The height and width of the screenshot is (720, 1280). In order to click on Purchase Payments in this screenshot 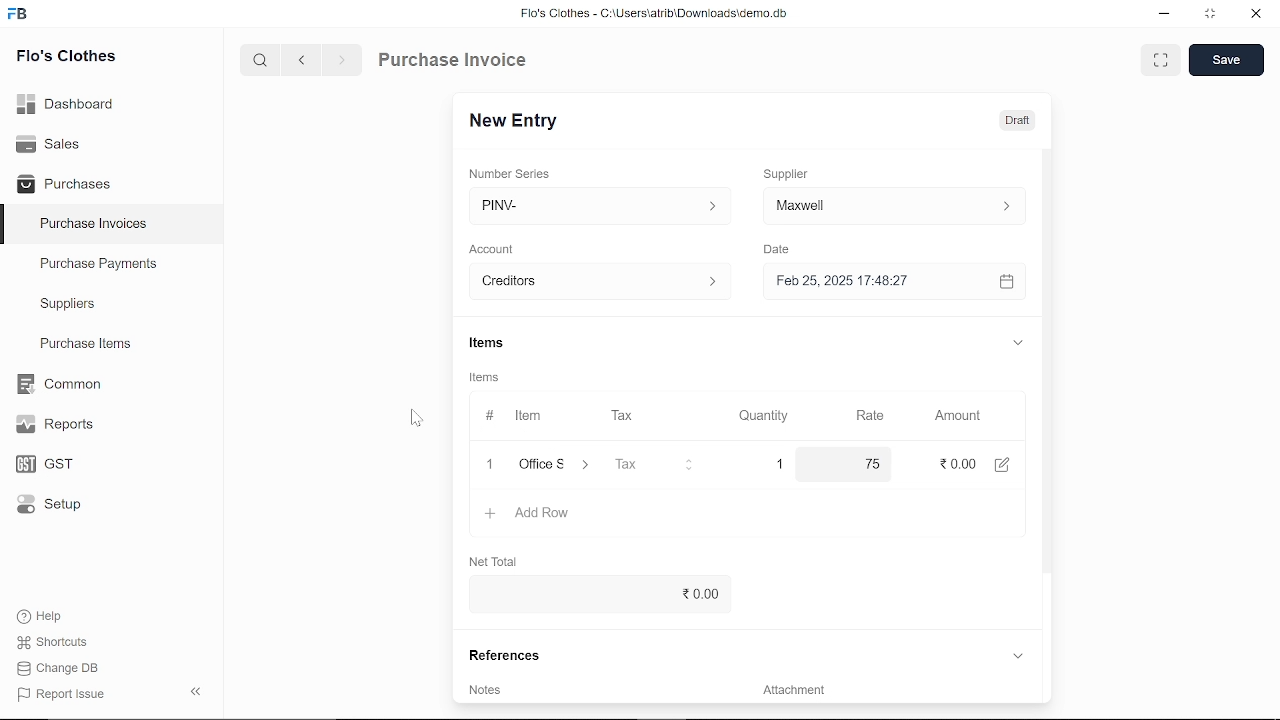, I will do `click(112, 268)`.